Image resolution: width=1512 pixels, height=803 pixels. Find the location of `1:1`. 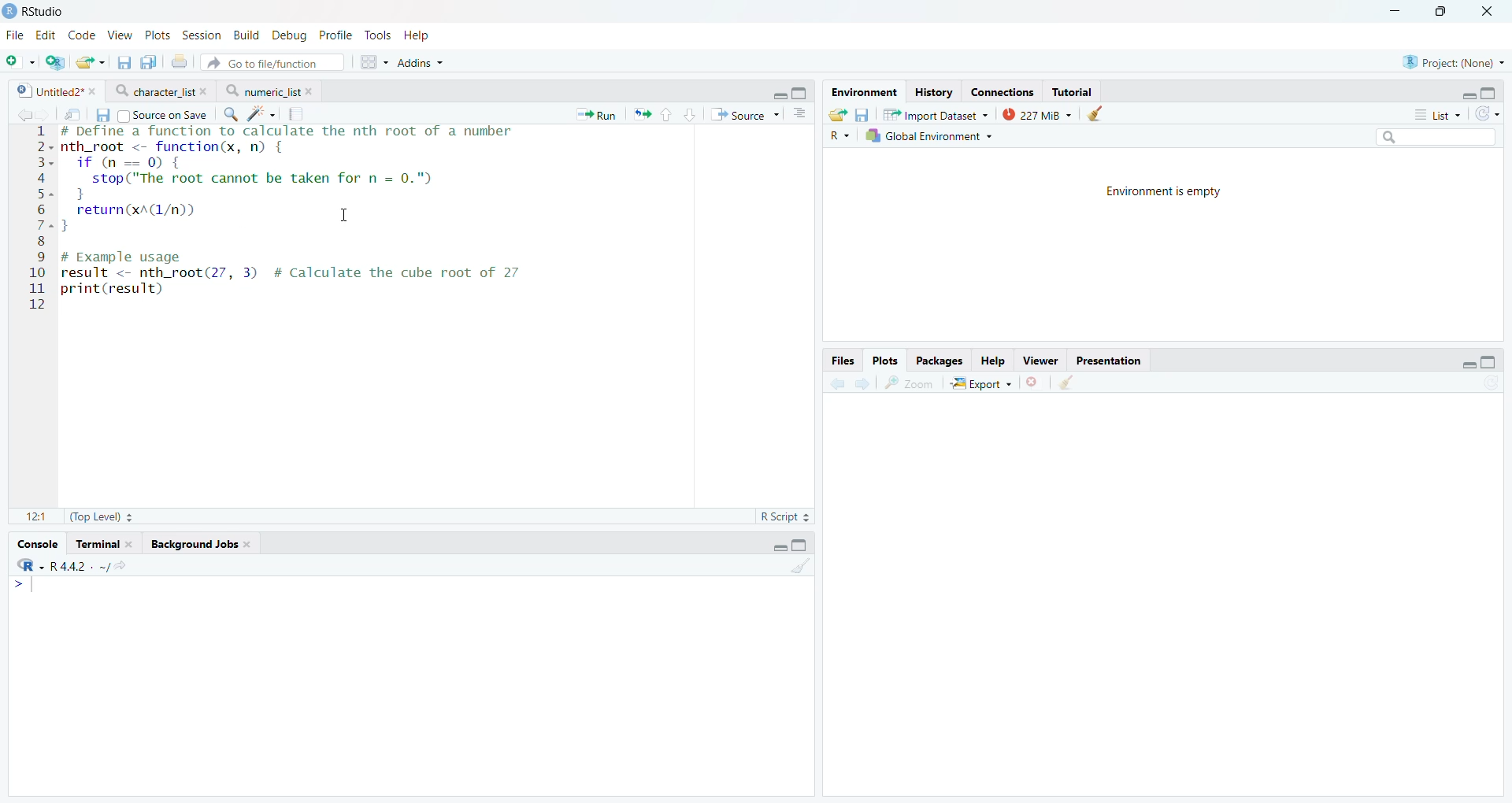

1:1 is located at coordinates (32, 515).